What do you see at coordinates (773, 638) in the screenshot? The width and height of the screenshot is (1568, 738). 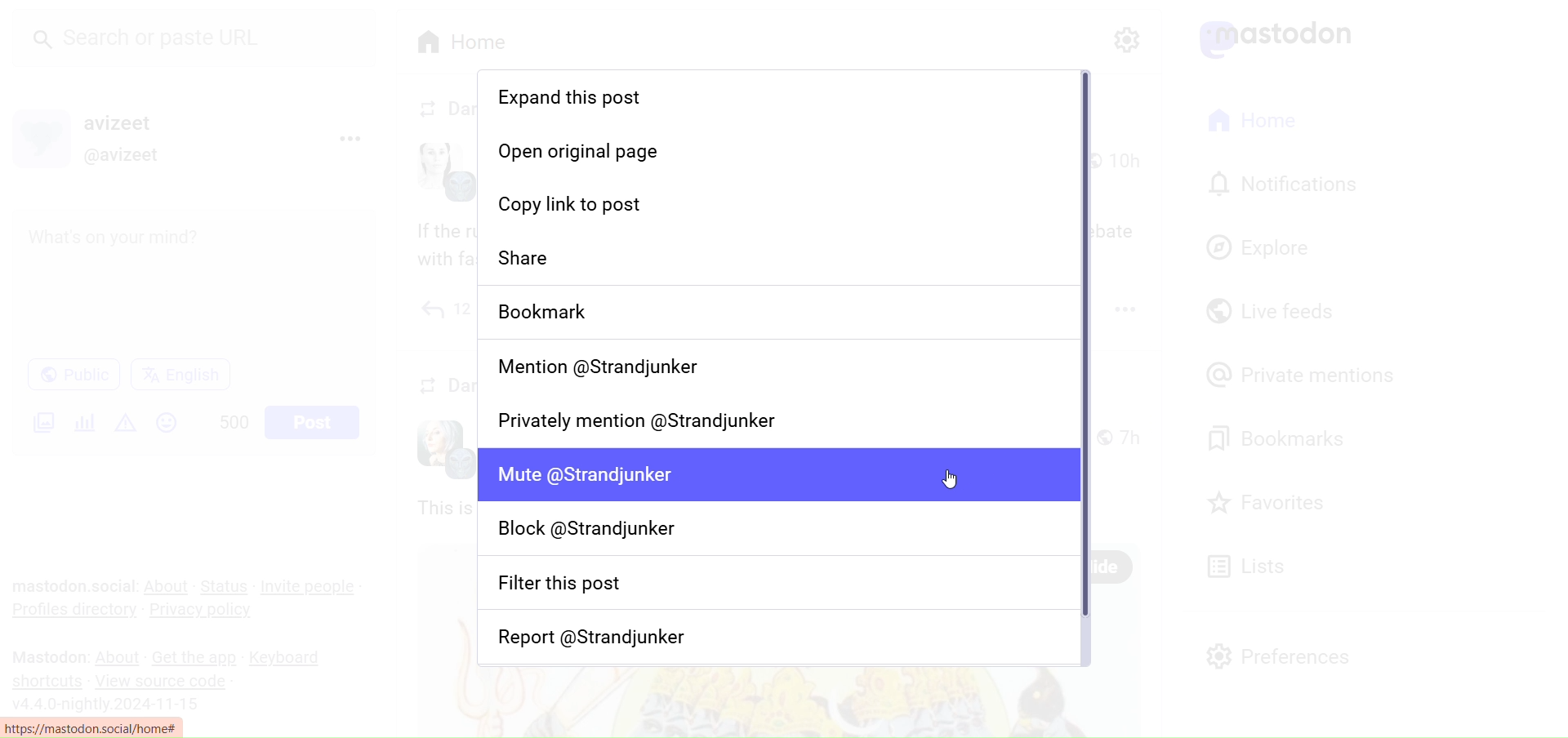 I see `Report user` at bounding box center [773, 638].